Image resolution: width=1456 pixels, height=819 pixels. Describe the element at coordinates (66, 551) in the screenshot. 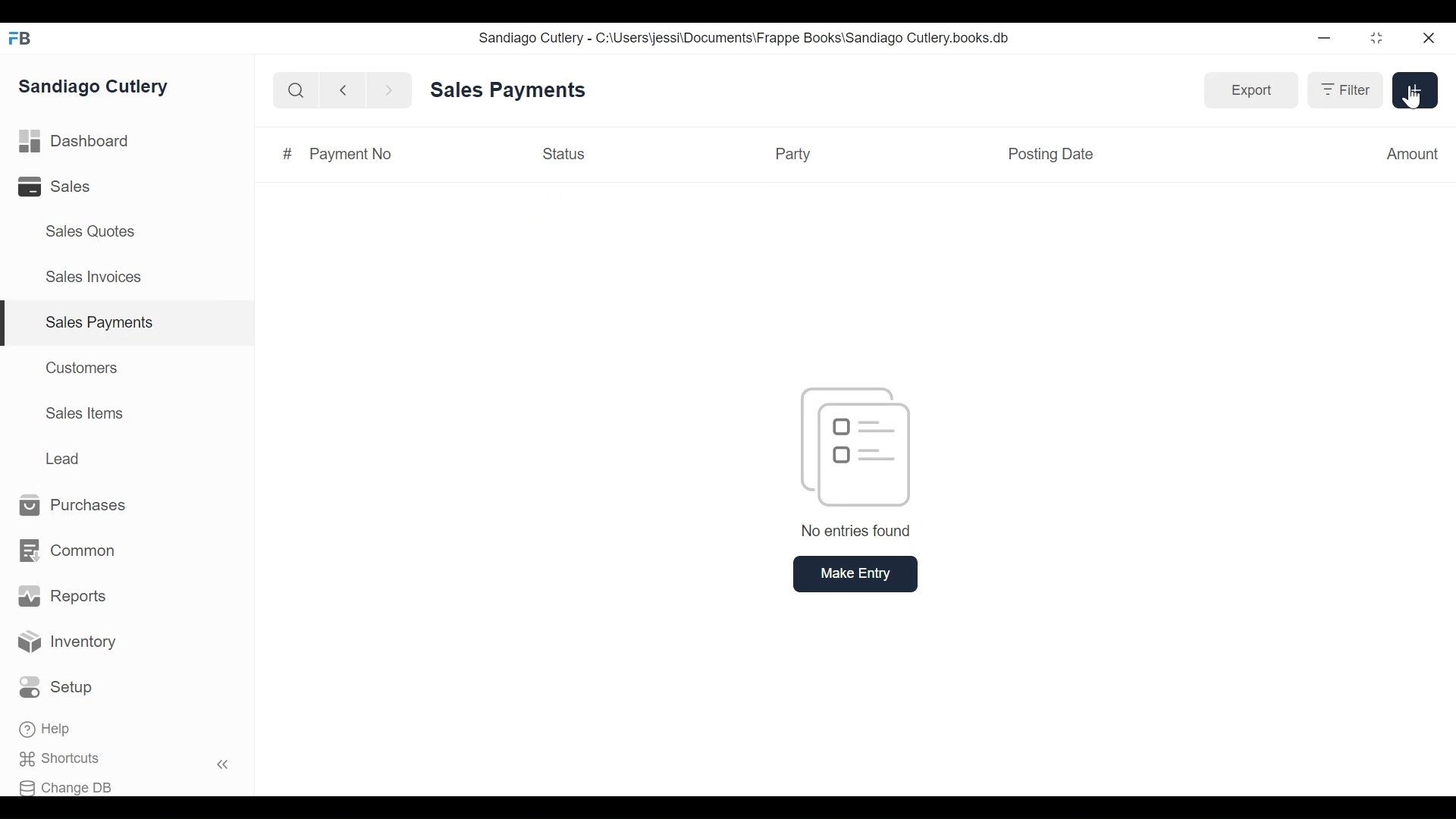

I see `Common` at that location.